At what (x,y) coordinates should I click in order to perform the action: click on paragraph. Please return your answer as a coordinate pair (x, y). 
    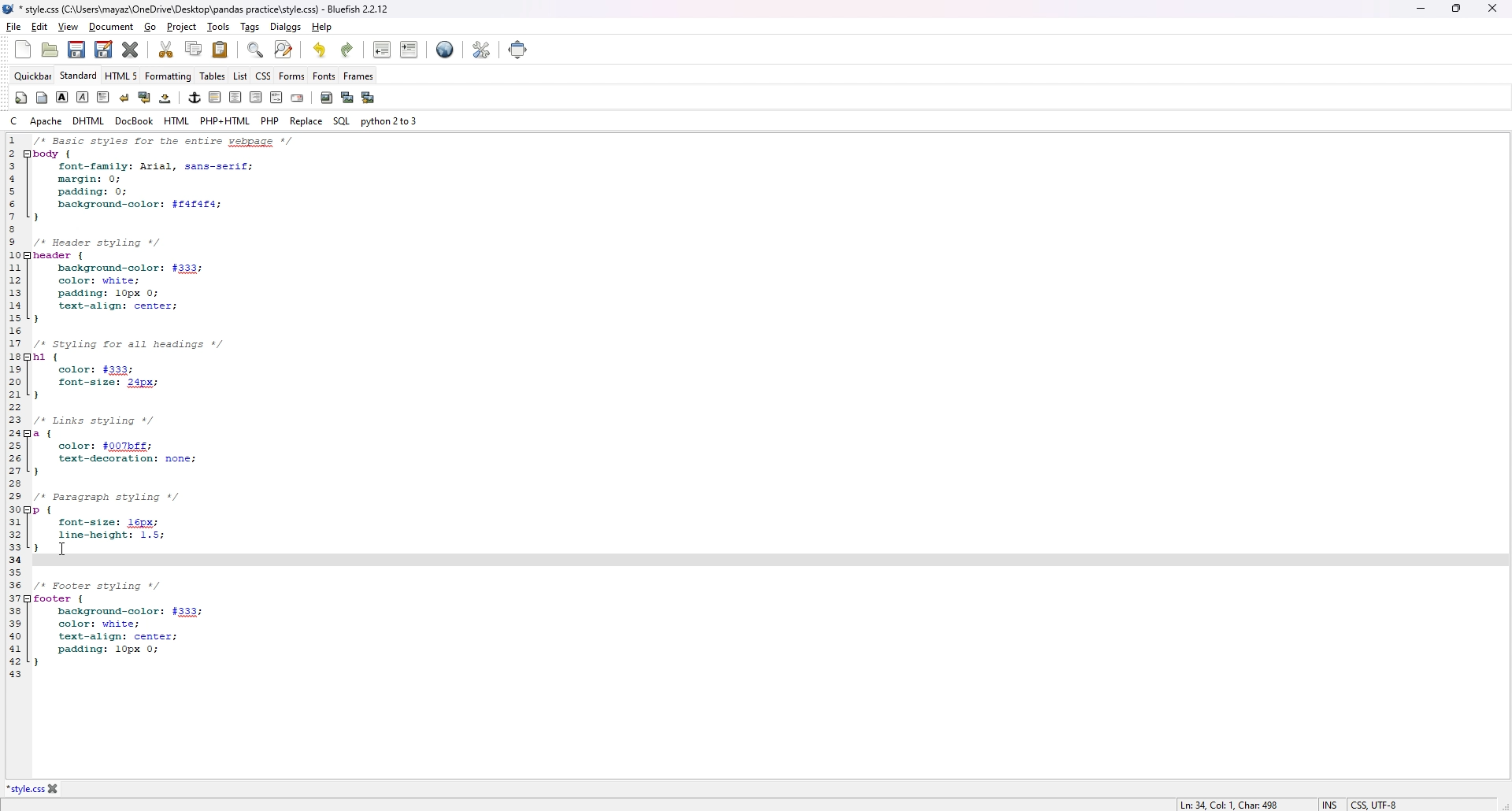
    Looking at the image, I should click on (104, 97).